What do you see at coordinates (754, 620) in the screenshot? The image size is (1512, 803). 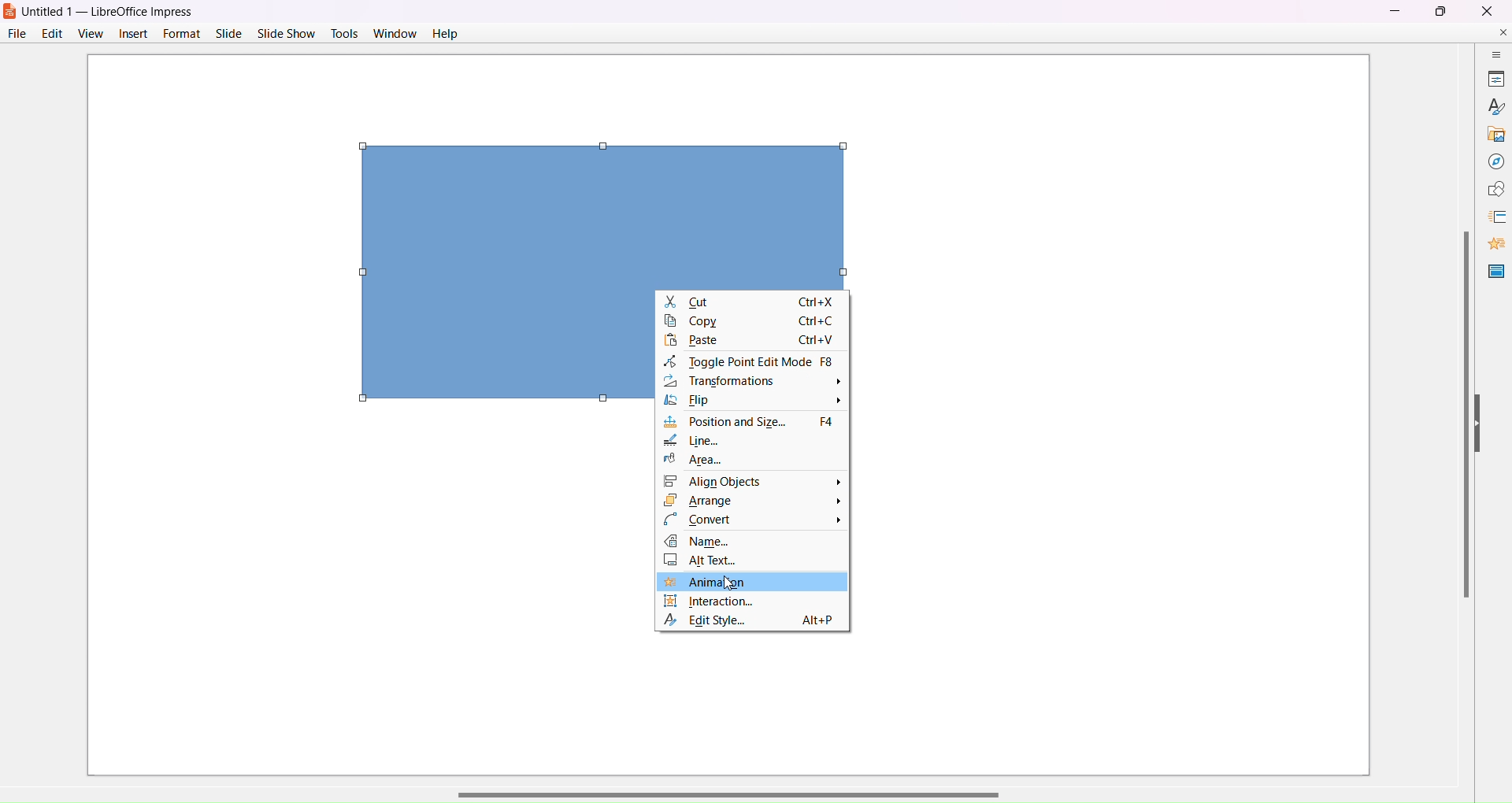 I see `Edit style` at bounding box center [754, 620].